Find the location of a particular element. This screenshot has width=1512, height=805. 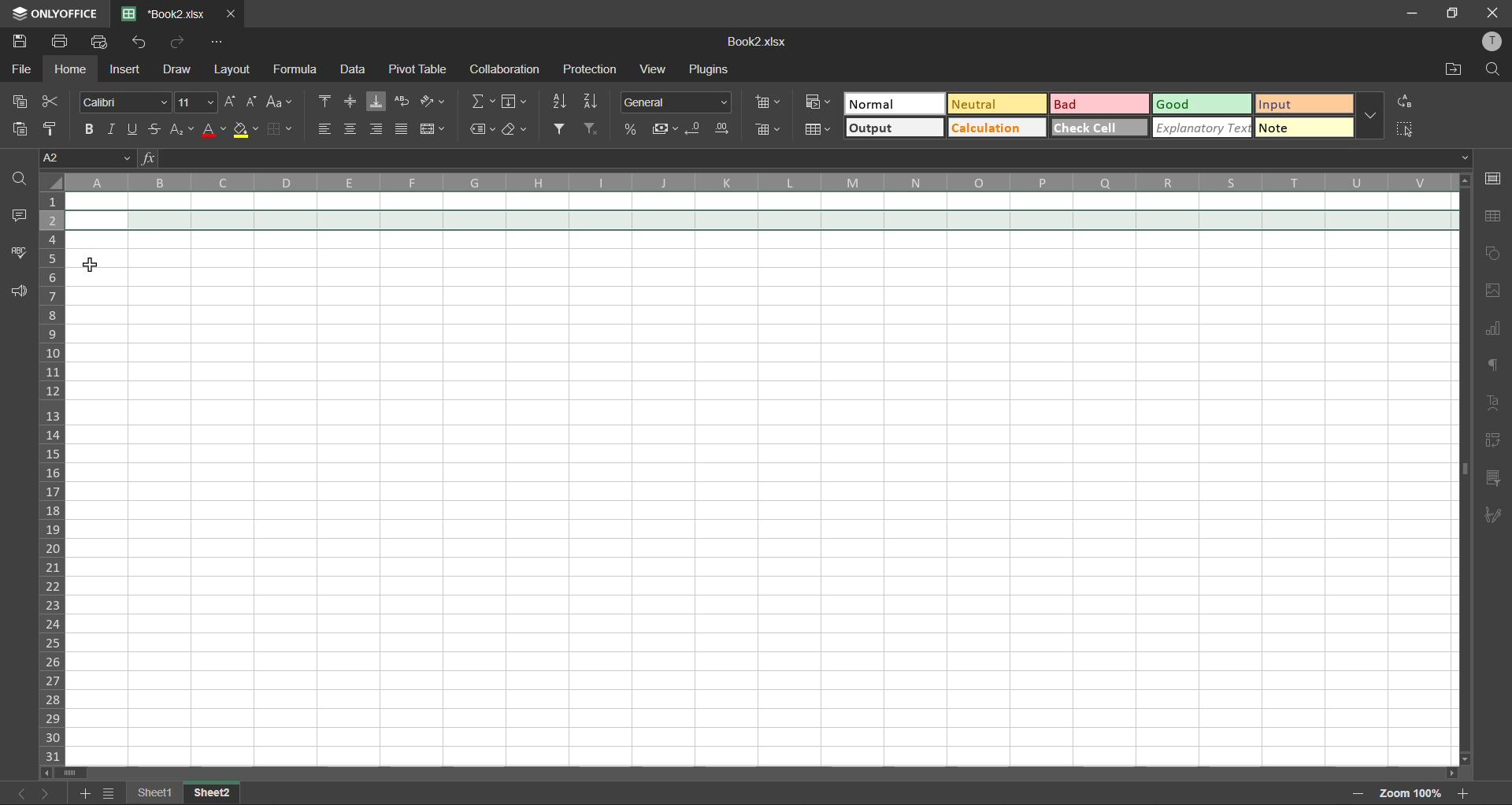

text is located at coordinates (1495, 402).